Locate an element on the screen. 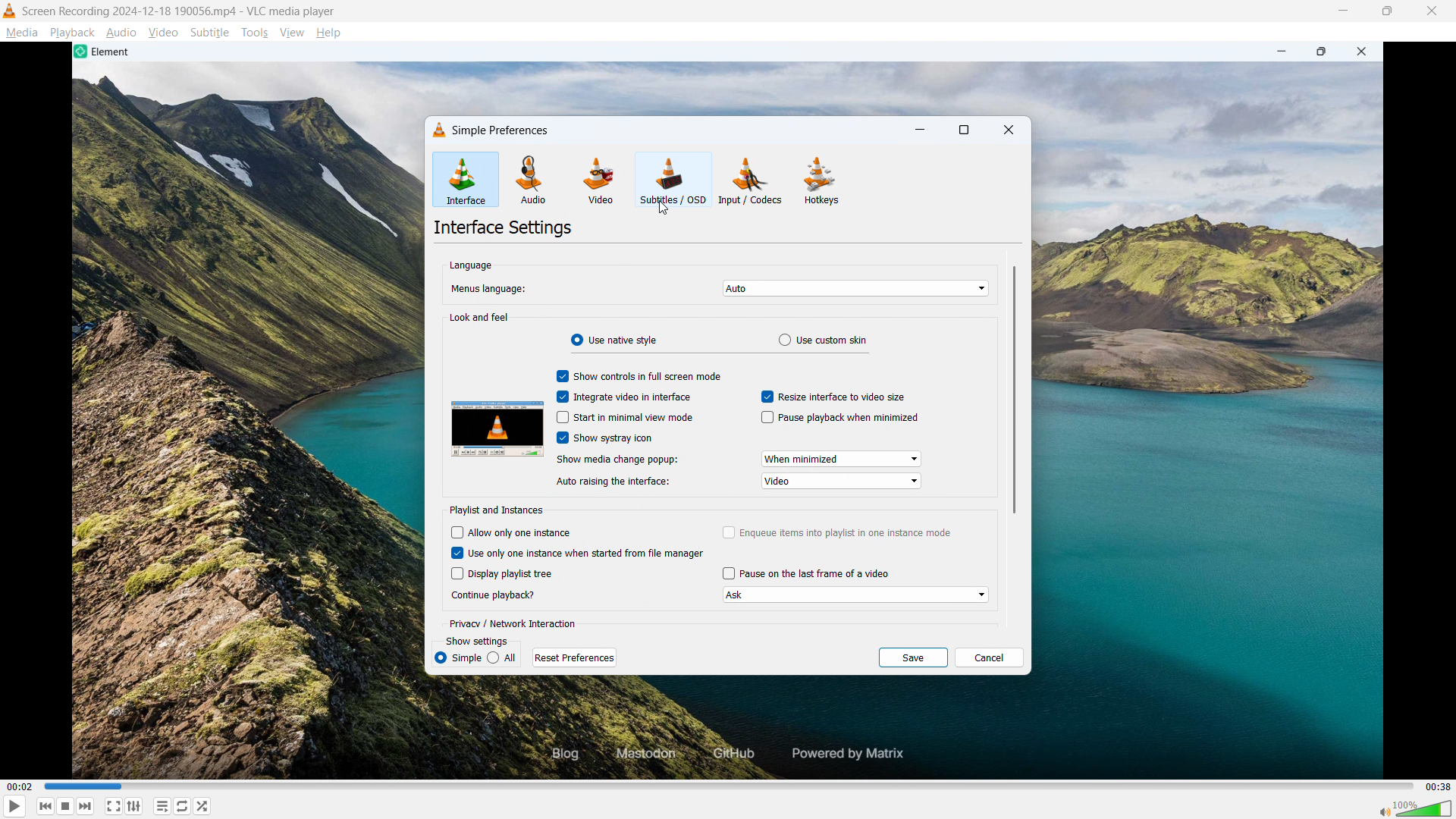 The image size is (1456, 819). Forward or next media  is located at coordinates (86, 807).